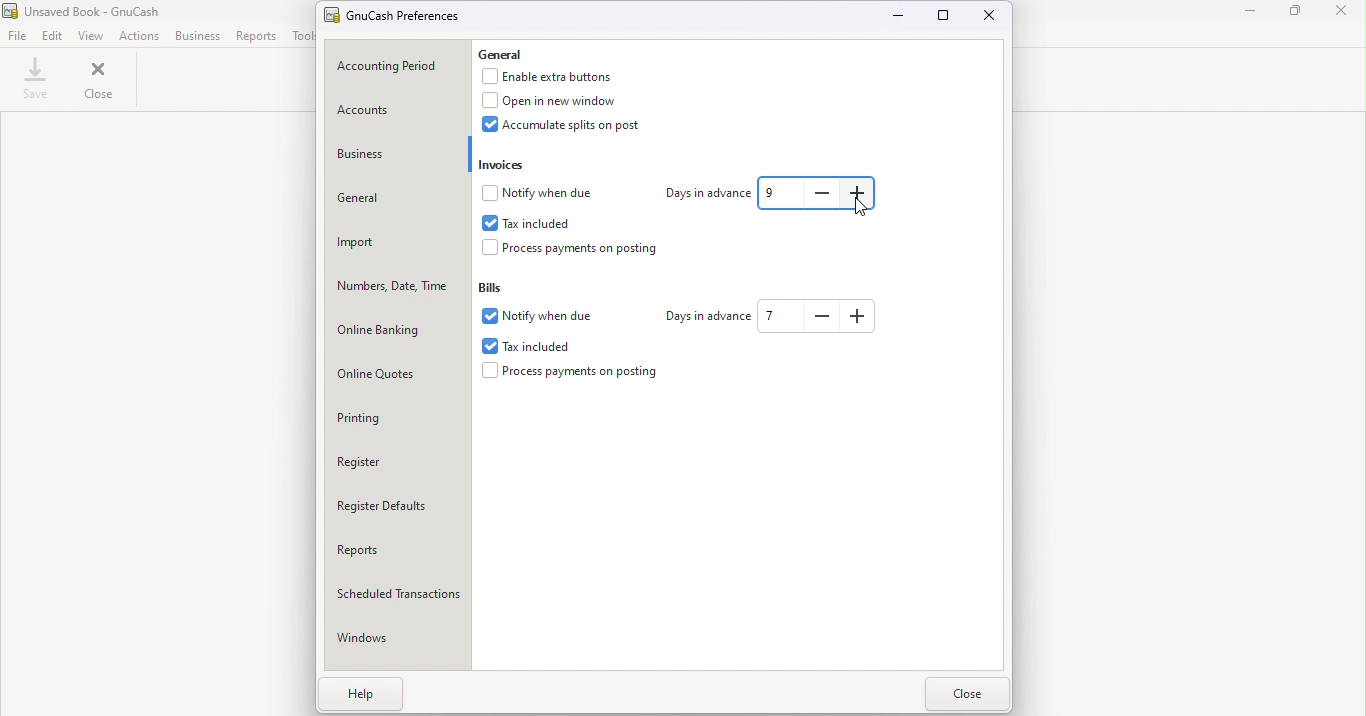  Describe the element at coordinates (903, 18) in the screenshot. I see `Minimize` at that location.